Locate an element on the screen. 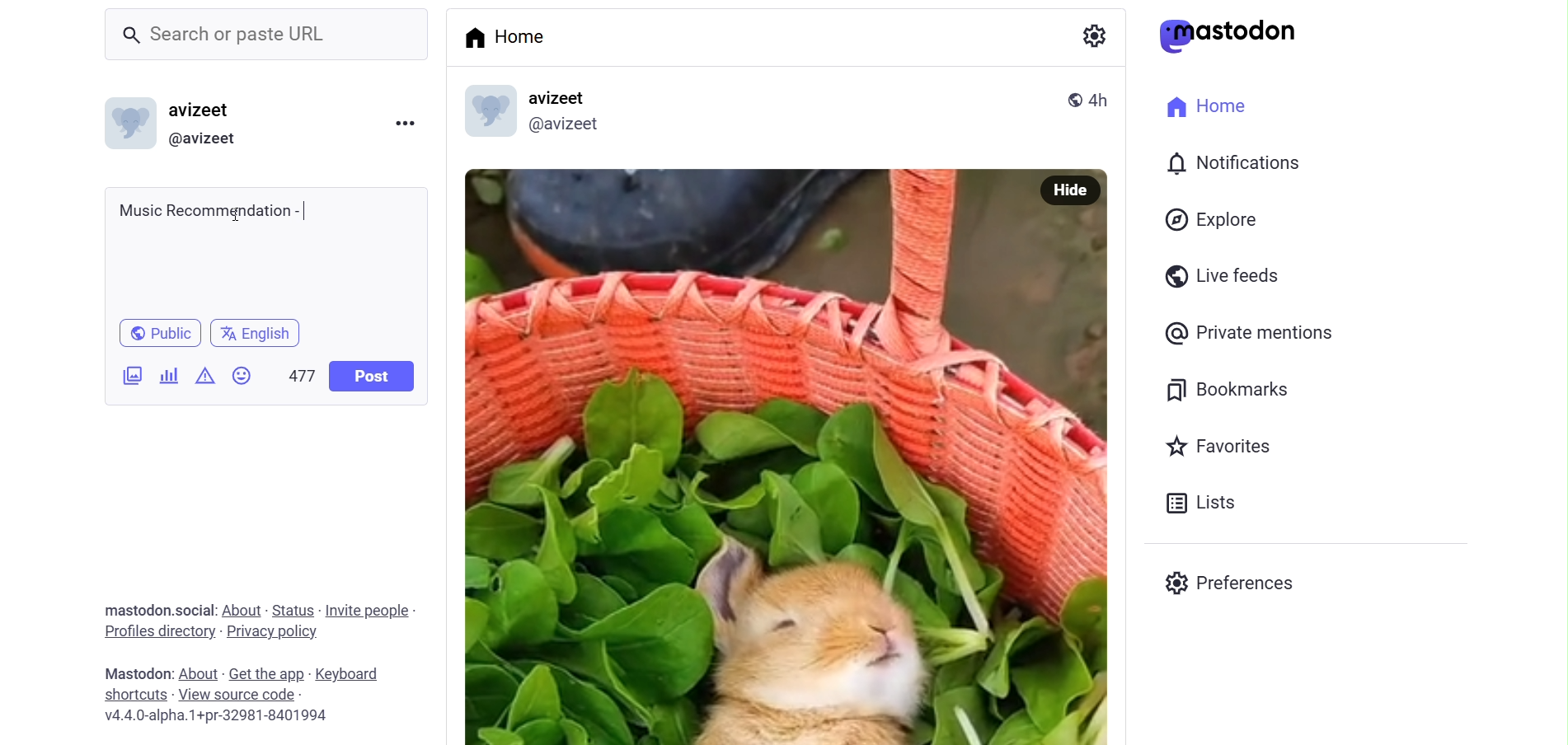 This screenshot has width=1568, height=745. Menu is located at coordinates (409, 123).